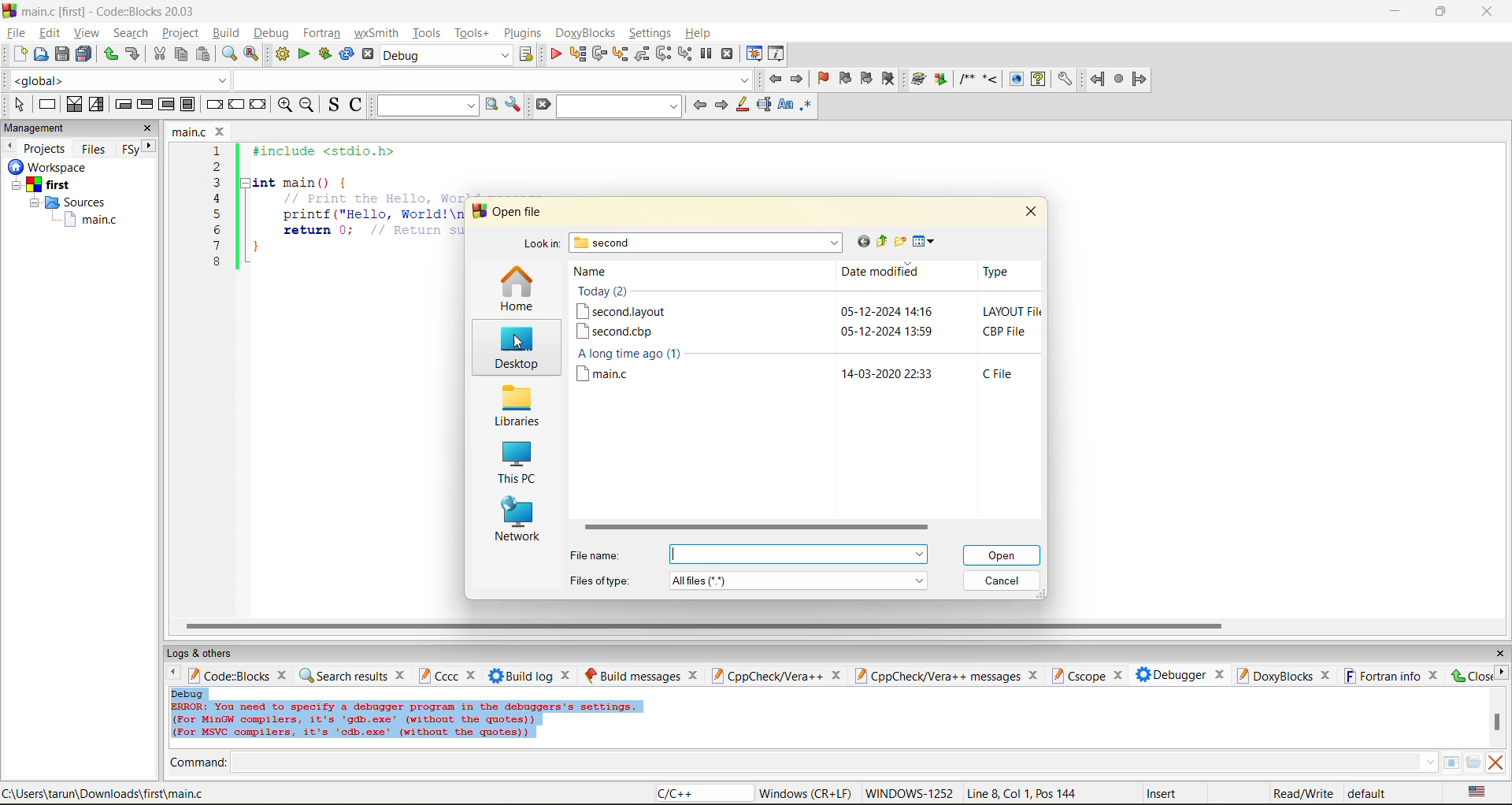 The width and height of the screenshot is (1512, 805). Describe the element at coordinates (225, 32) in the screenshot. I see `build` at that location.